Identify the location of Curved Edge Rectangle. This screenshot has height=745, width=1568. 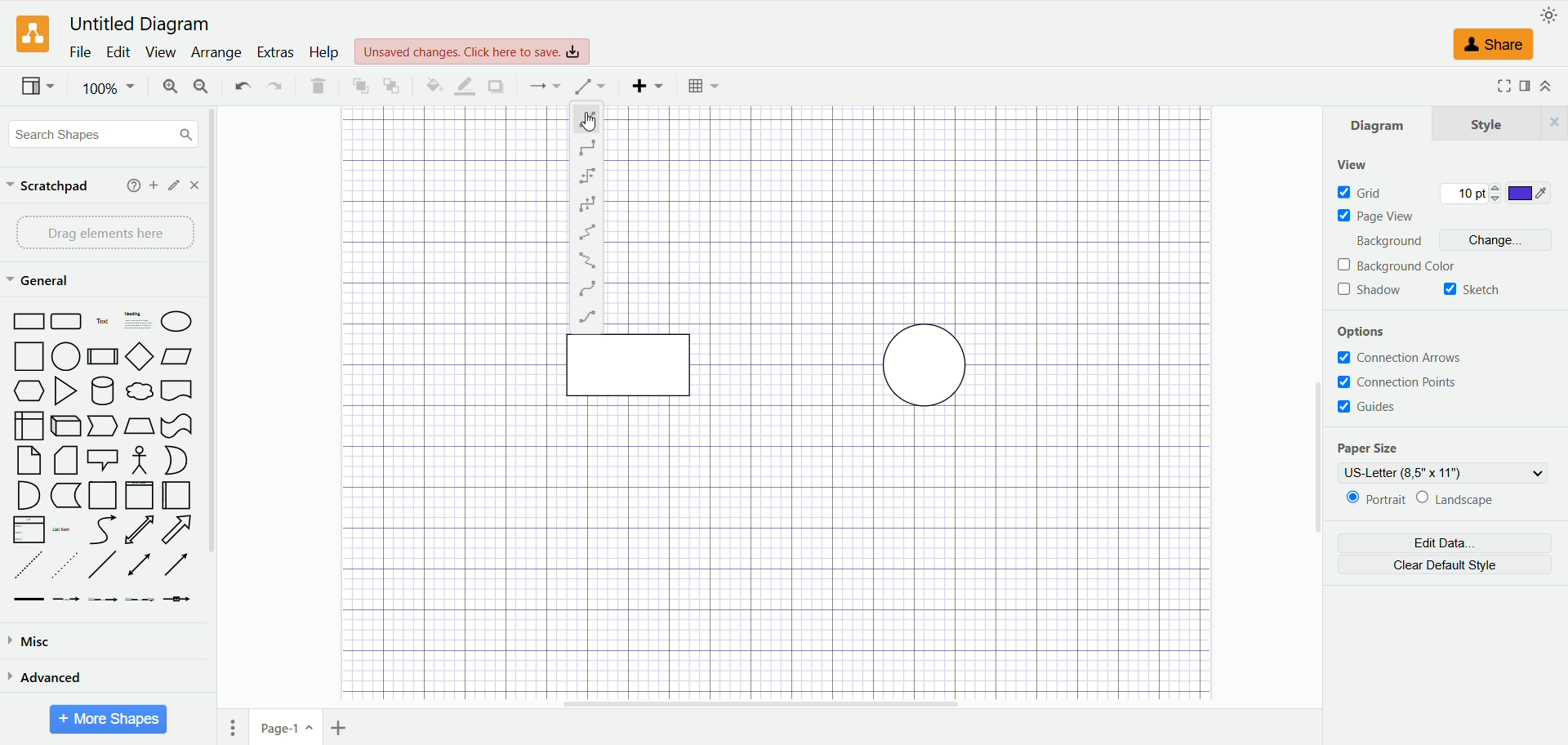
(68, 321).